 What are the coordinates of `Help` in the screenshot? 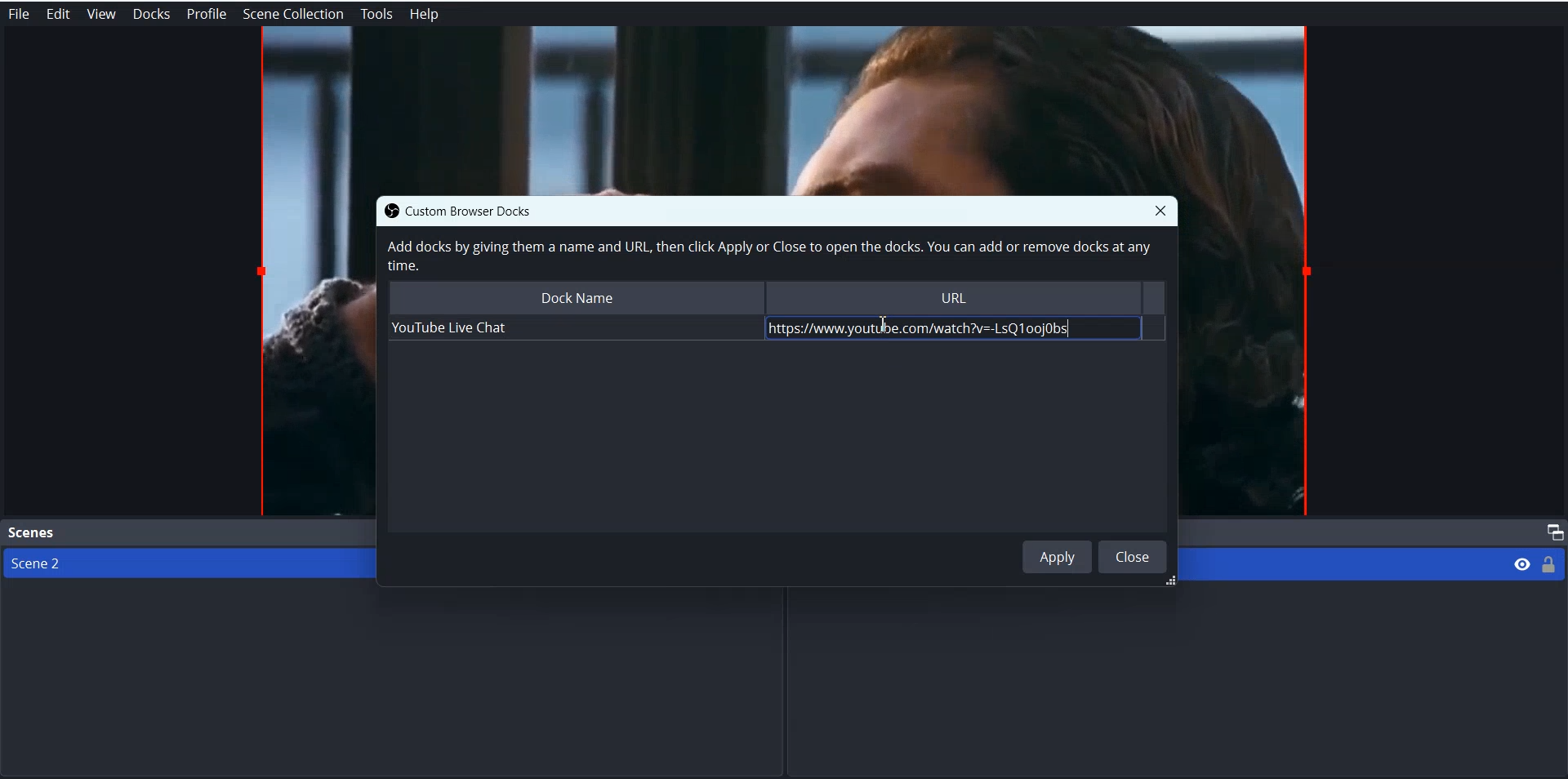 It's located at (425, 15).